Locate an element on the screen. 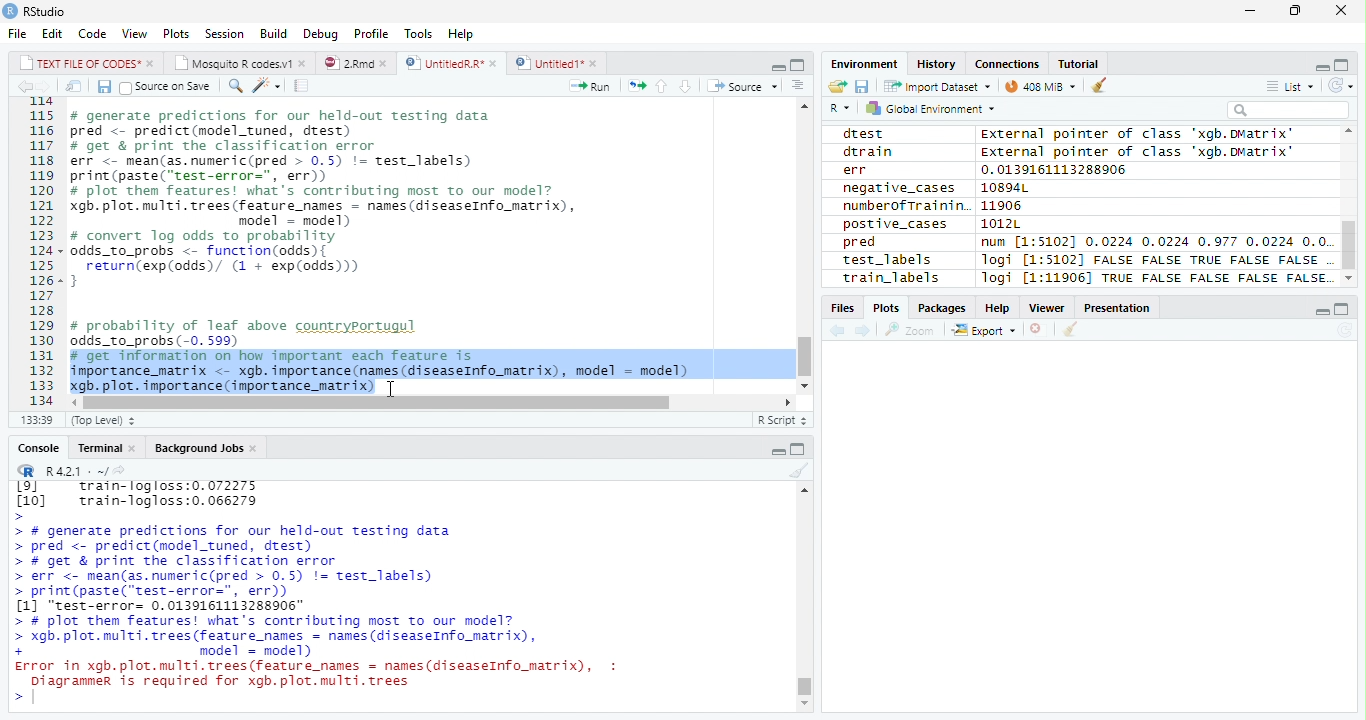 The height and width of the screenshot is (720, 1366). List is located at coordinates (1289, 85).